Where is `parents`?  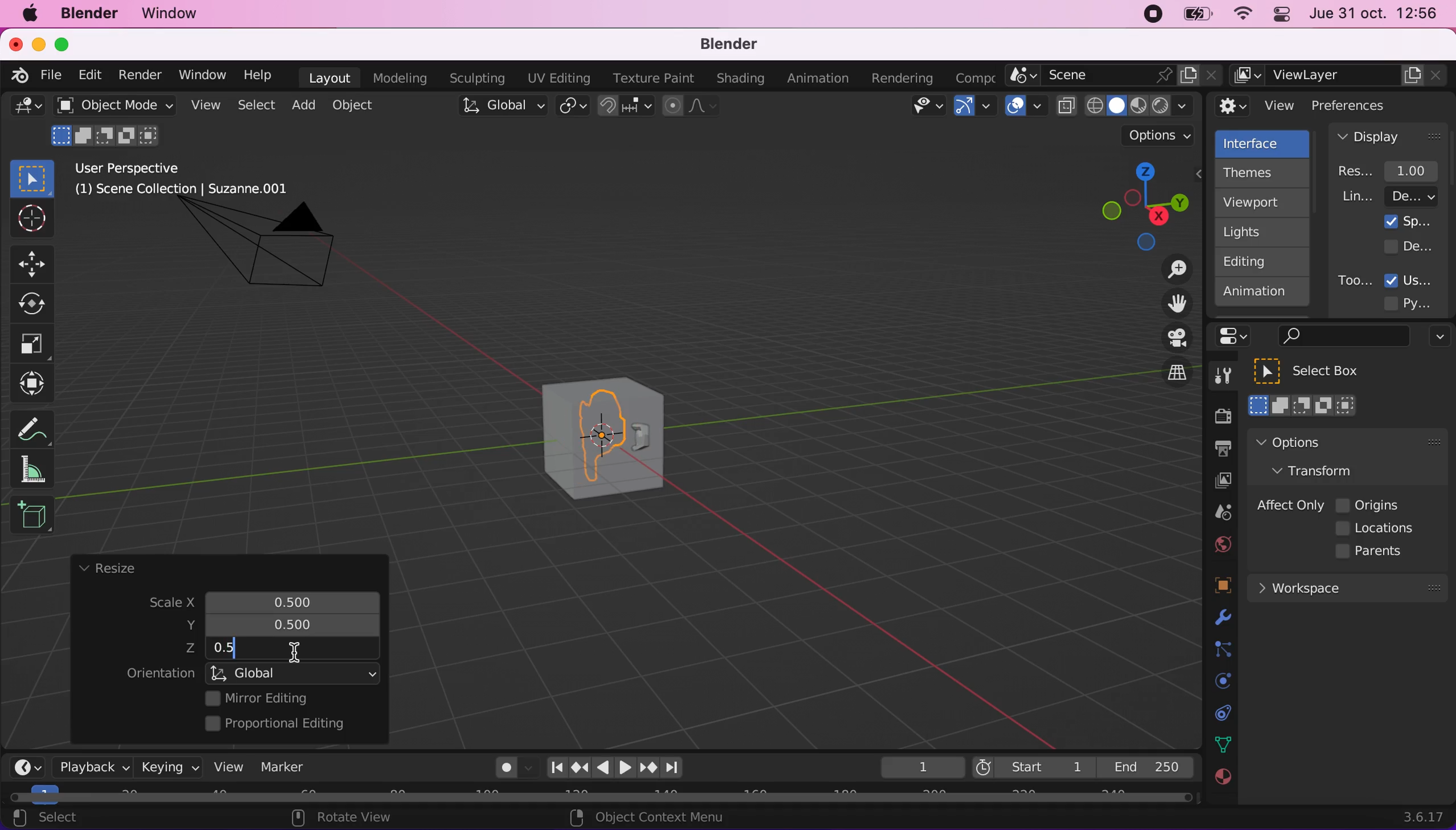 parents is located at coordinates (1375, 552).